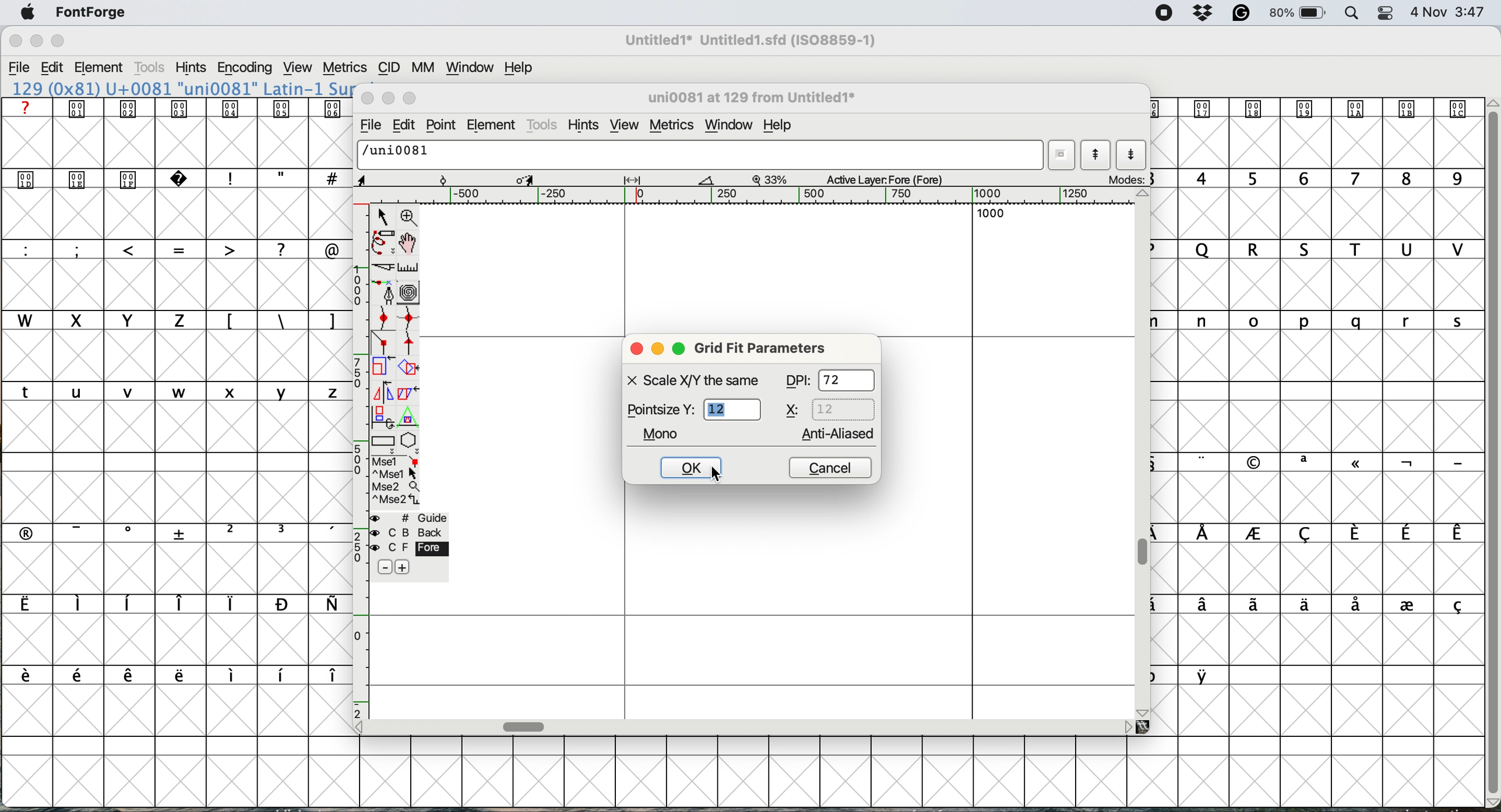 The image size is (1501, 812). I want to click on Close, so click(16, 41).